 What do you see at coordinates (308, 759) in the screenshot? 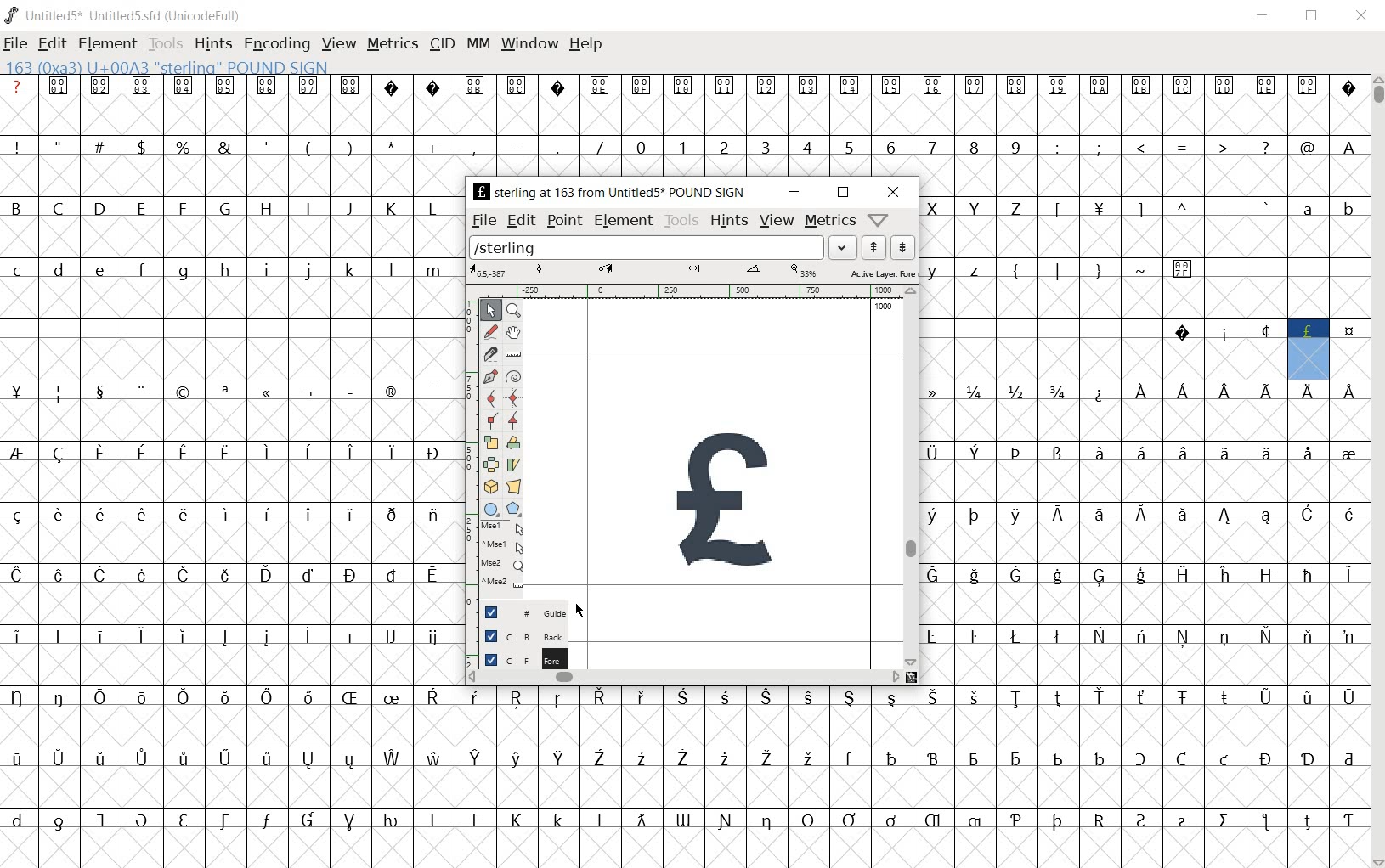
I see `Symbol` at bounding box center [308, 759].